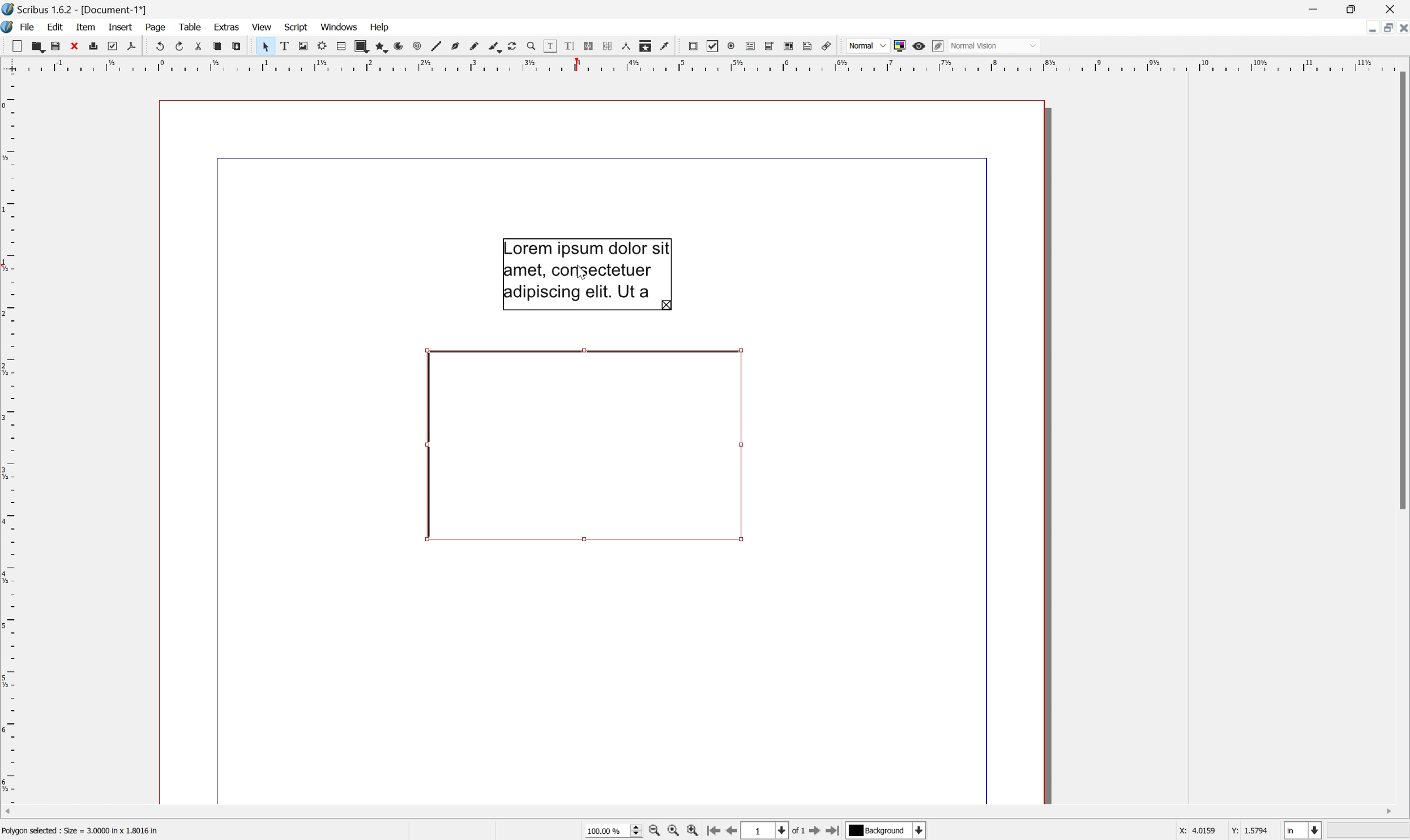 This screenshot has width=1410, height=840. I want to click on Zoom in by the stepping value in tools preferences, so click(698, 831).